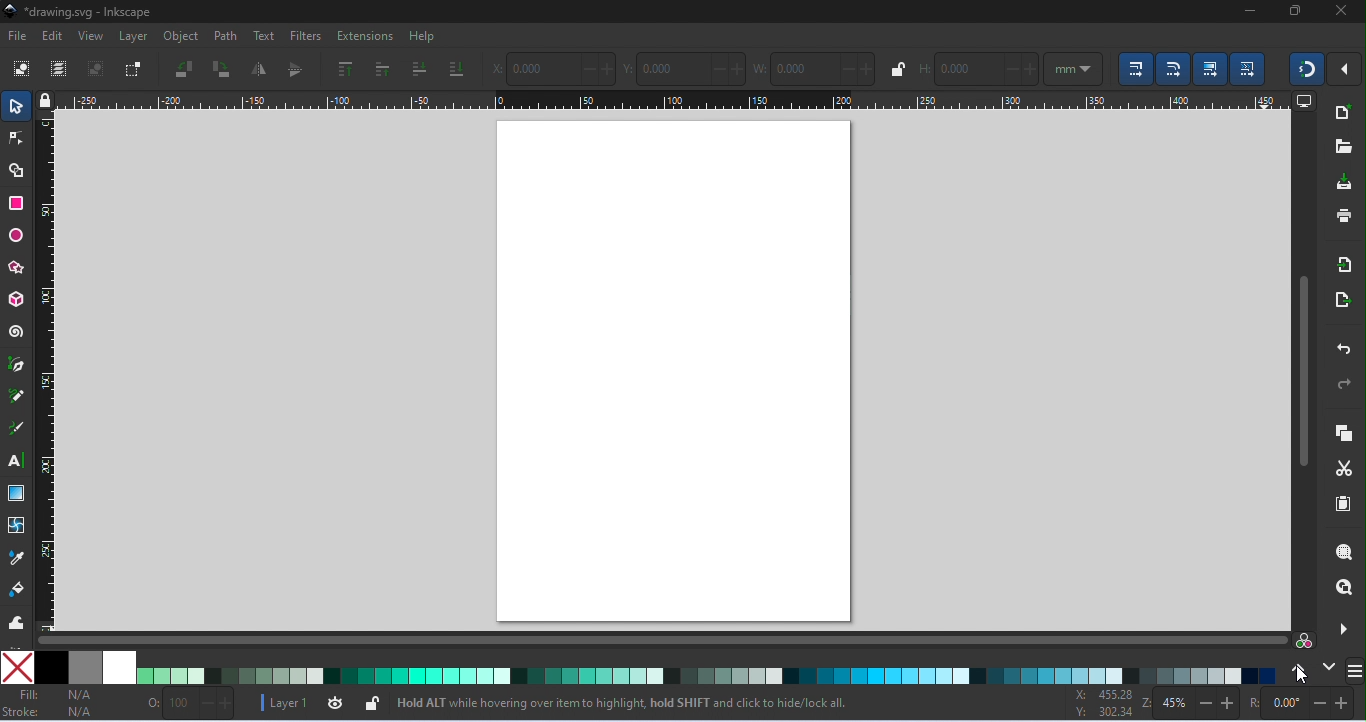 This screenshot has height=722, width=1366. Describe the element at coordinates (657, 641) in the screenshot. I see `horizontal scroll bar` at that location.